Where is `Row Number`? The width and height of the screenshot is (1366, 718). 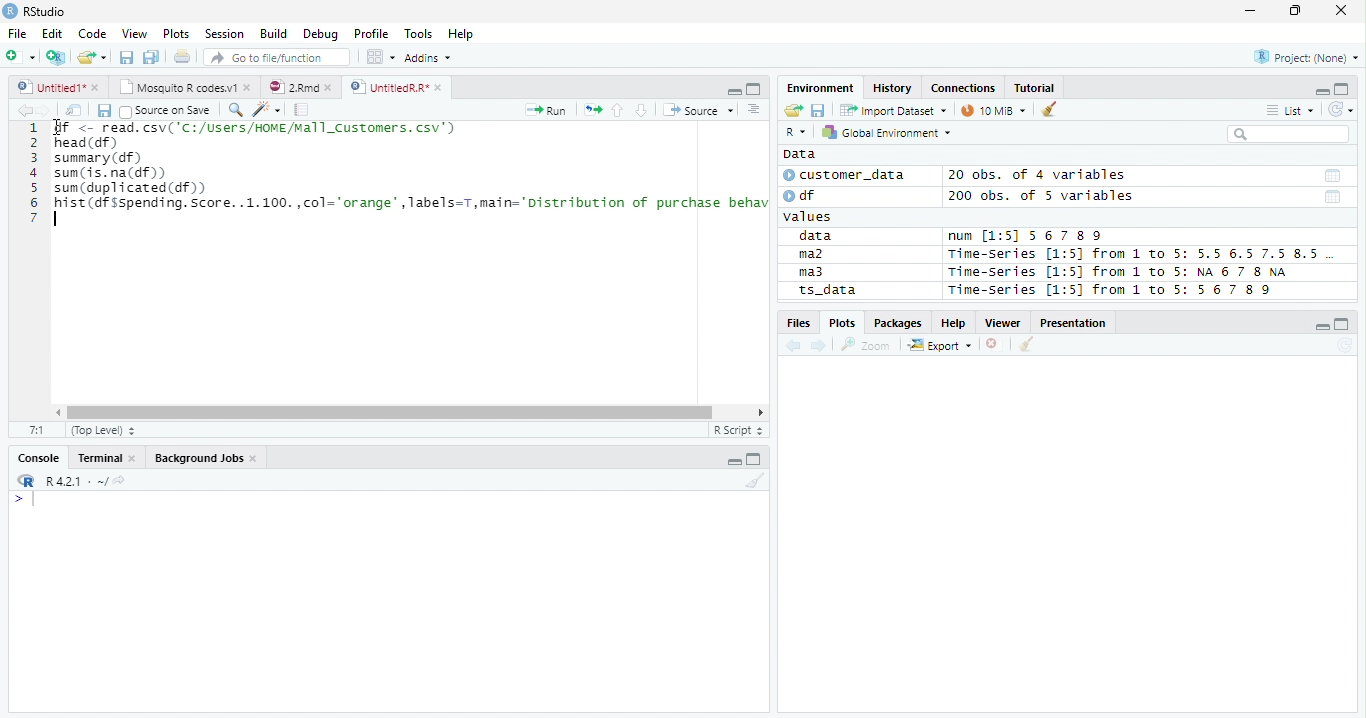 Row Number is located at coordinates (33, 175).